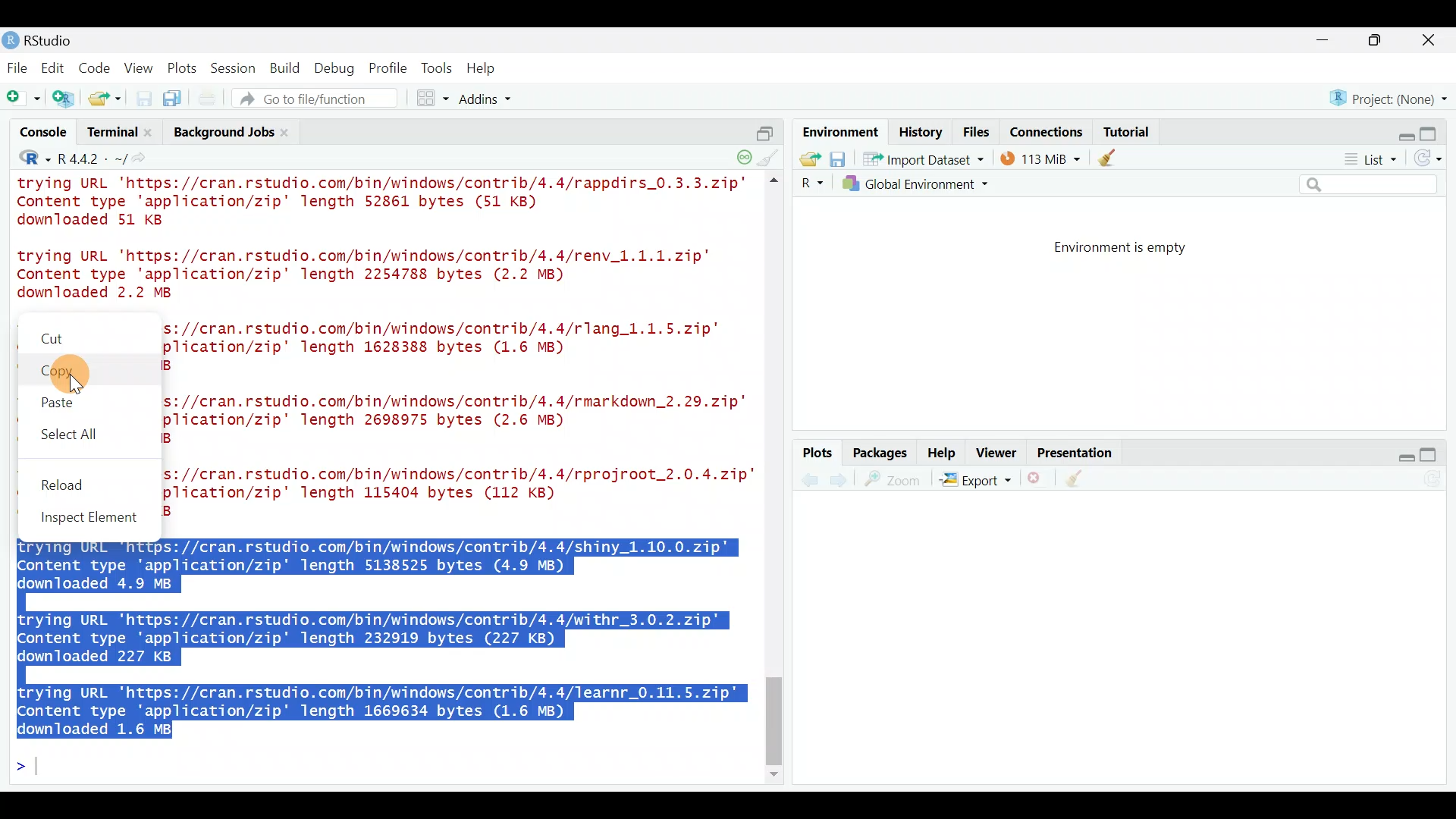 The width and height of the screenshot is (1456, 819). What do you see at coordinates (27, 769) in the screenshot?
I see `Line cursor` at bounding box center [27, 769].